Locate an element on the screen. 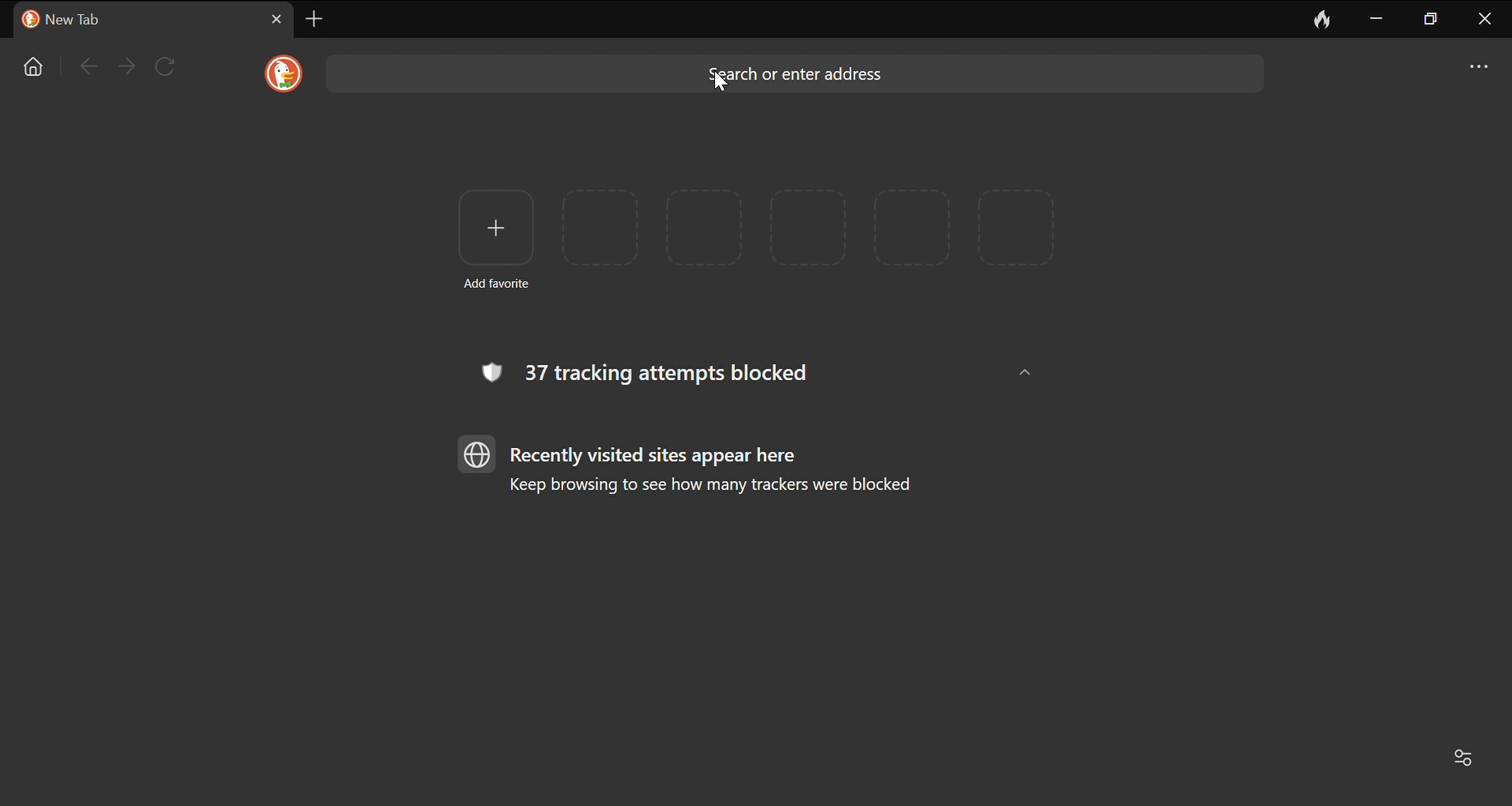  close is located at coordinates (1486, 20).